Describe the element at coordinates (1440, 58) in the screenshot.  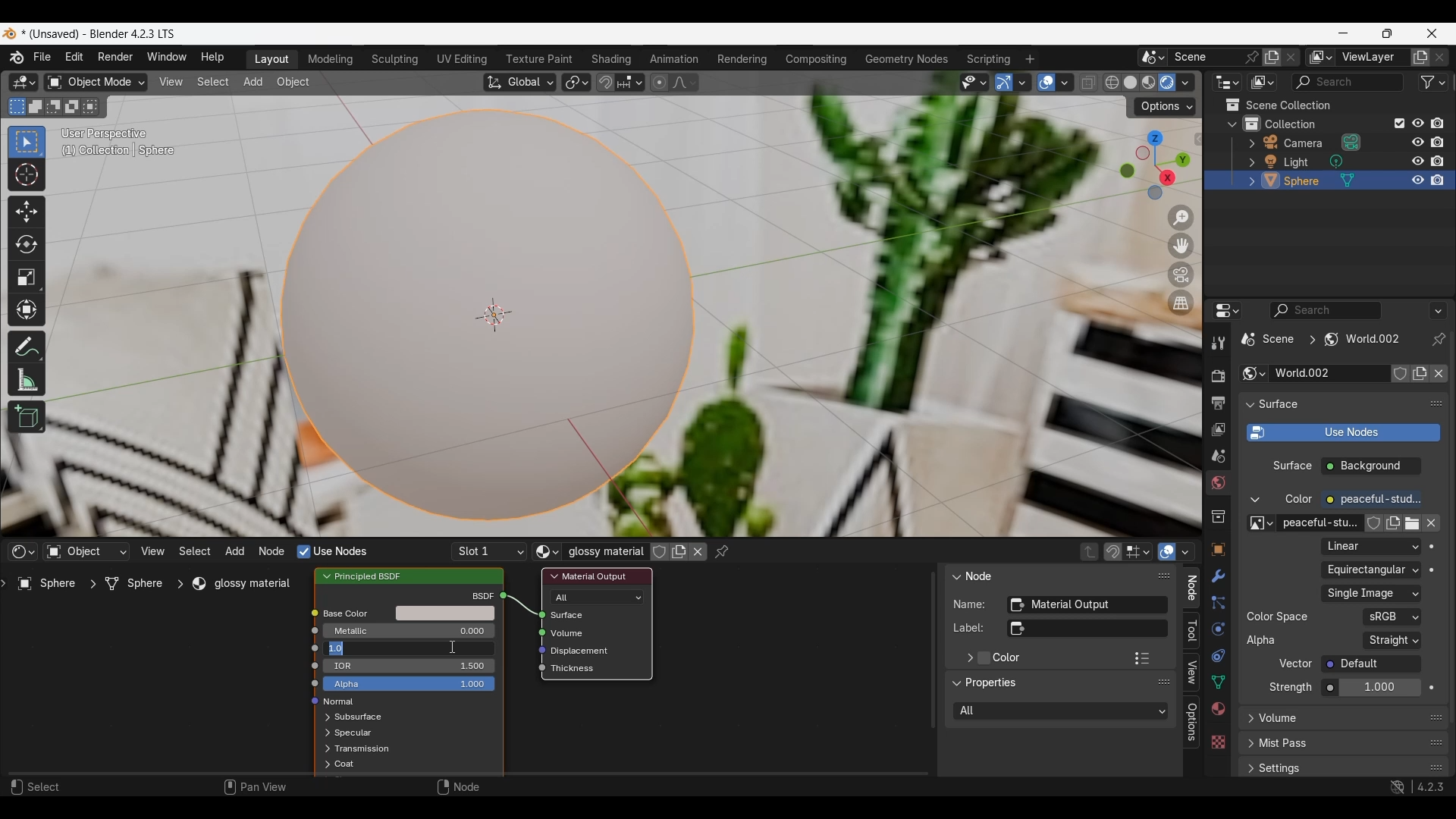
I see `Remove new layer` at that location.